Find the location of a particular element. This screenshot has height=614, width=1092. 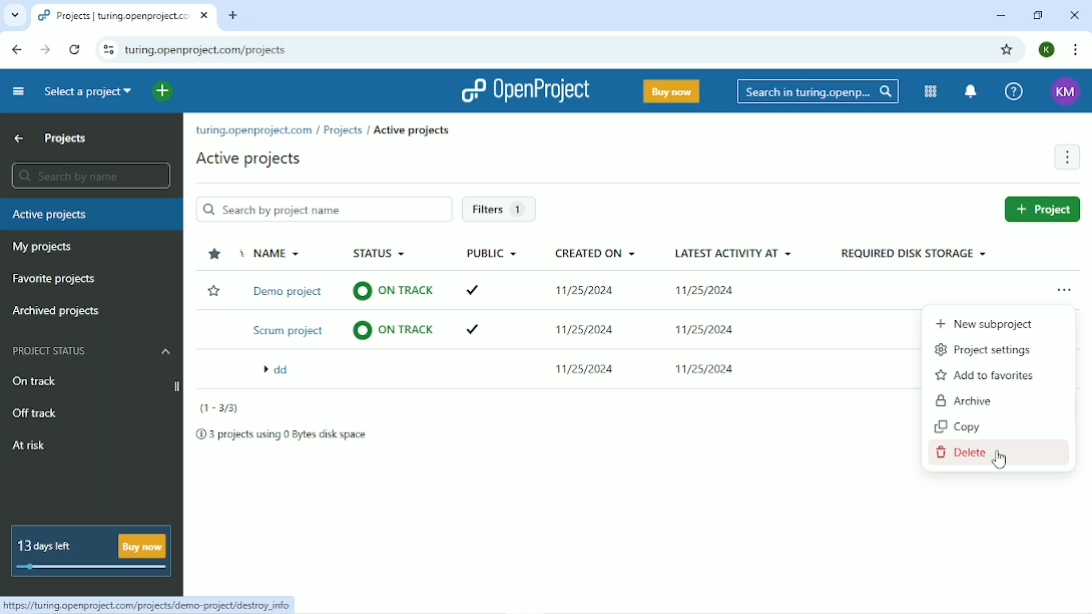

(1-3/3) is located at coordinates (221, 410).